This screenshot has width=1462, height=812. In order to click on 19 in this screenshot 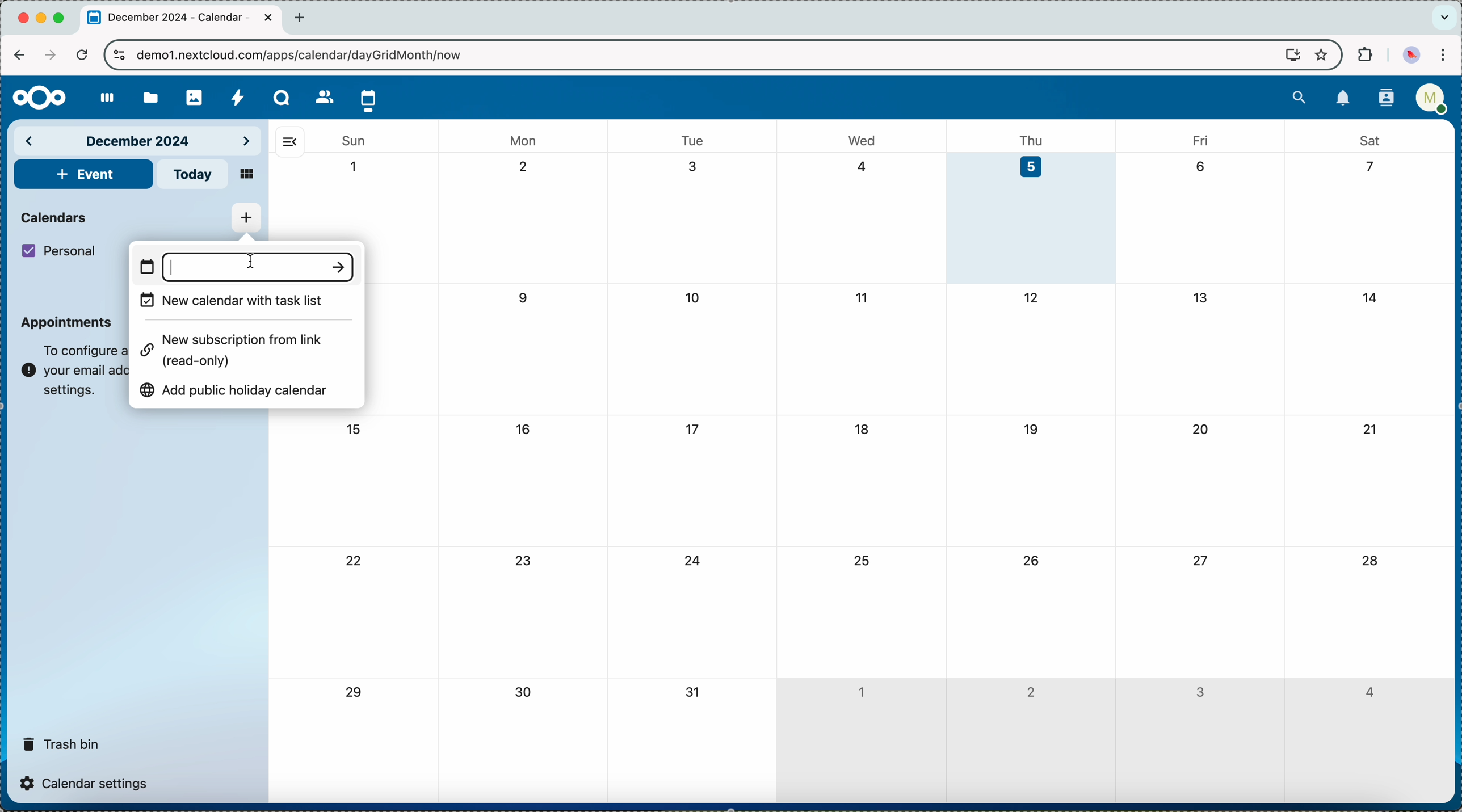, I will do `click(1032, 428)`.